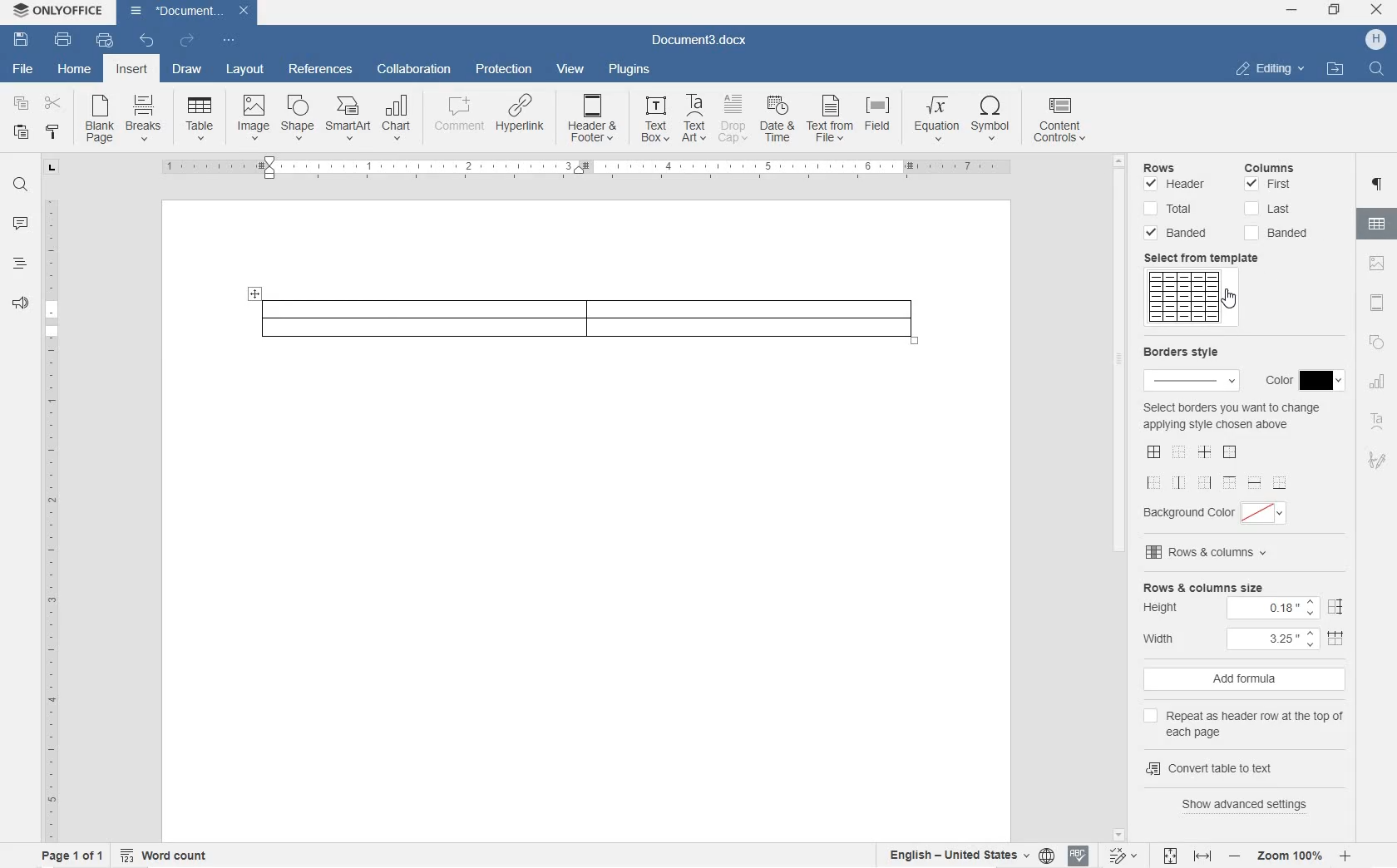 This screenshot has height=868, width=1397. Describe the element at coordinates (200, 118) in the screenshot. I see `insert table` at that location.